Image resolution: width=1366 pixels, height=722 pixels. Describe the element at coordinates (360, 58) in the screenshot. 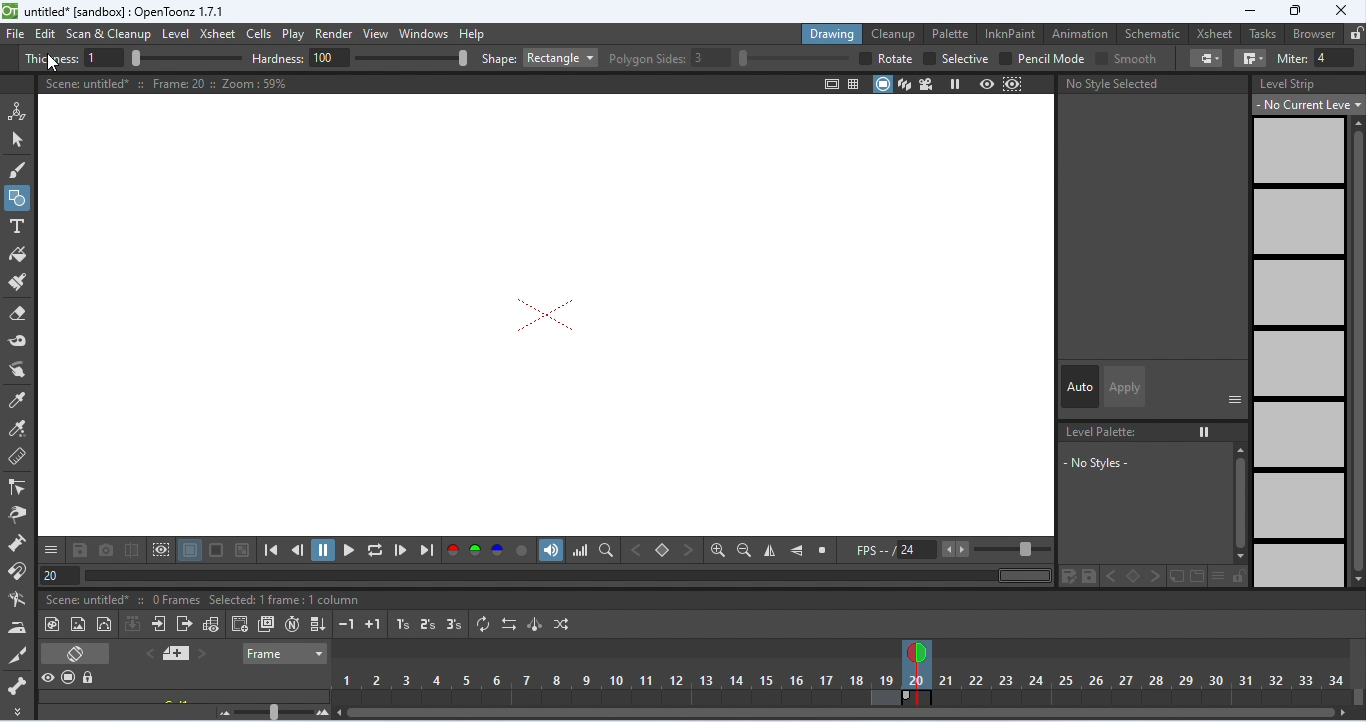

I see `hardness` at that location.